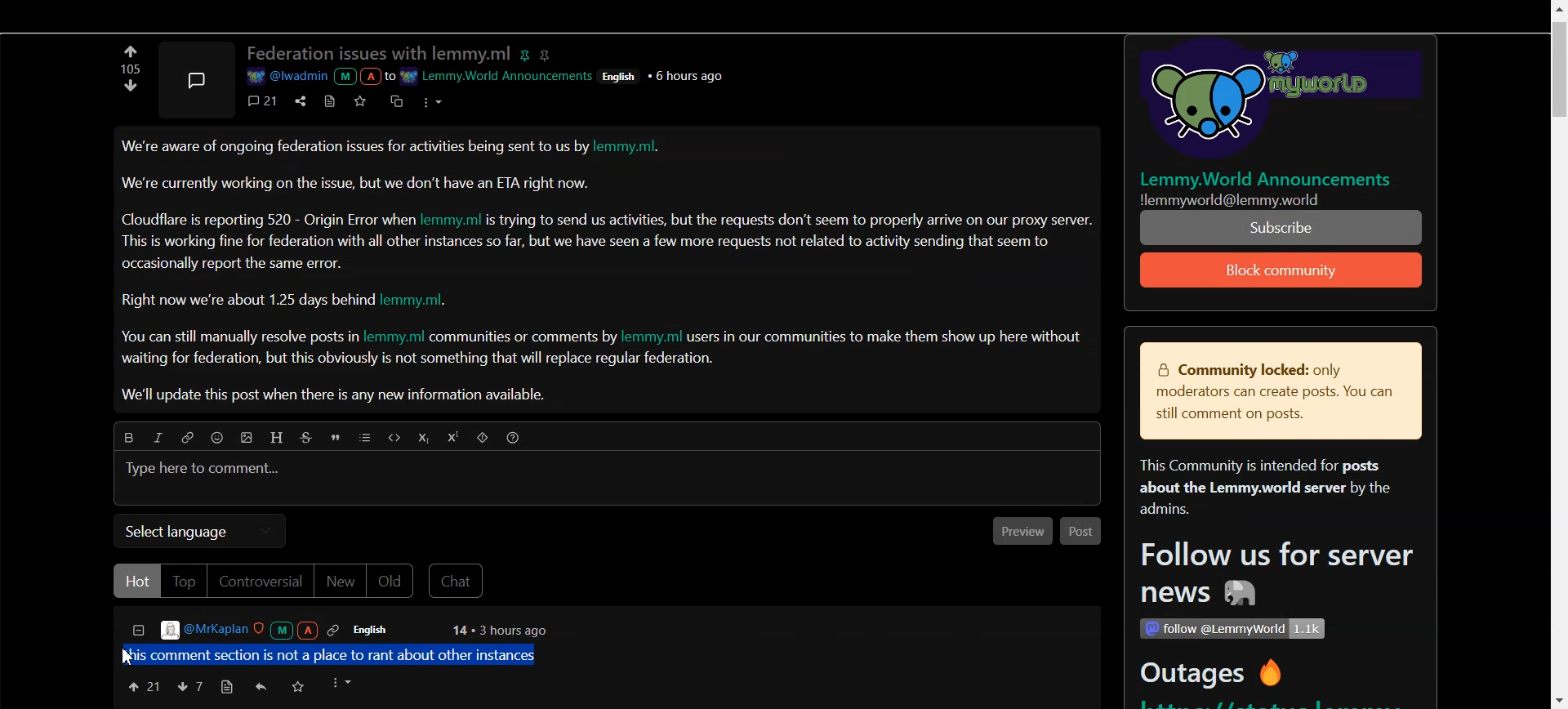 The height and width of the screenshot is (709, 1568). What do you see at coordinates (235, 339) in the screenshot?
I see `You can still manually resolve posts in` at bounding box center [235, 339].